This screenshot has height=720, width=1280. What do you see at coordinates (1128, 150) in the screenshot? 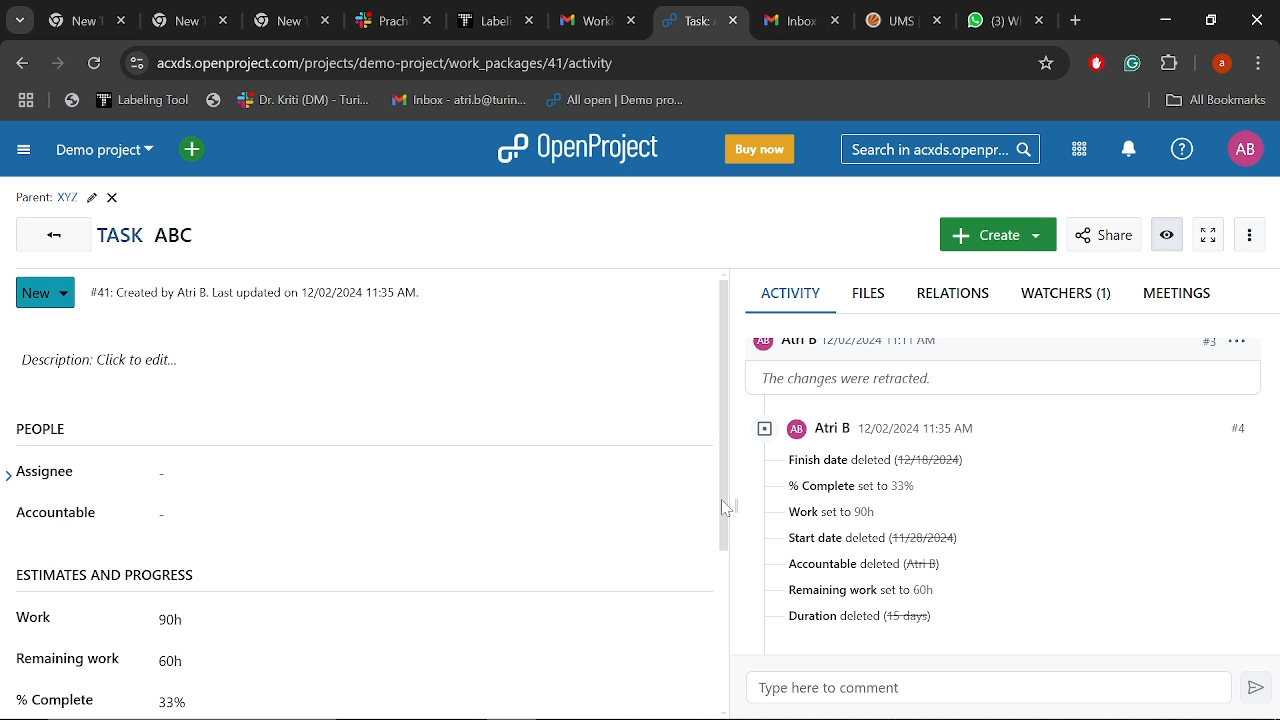
I see `Notifications` at bounding box center [1128, 150].